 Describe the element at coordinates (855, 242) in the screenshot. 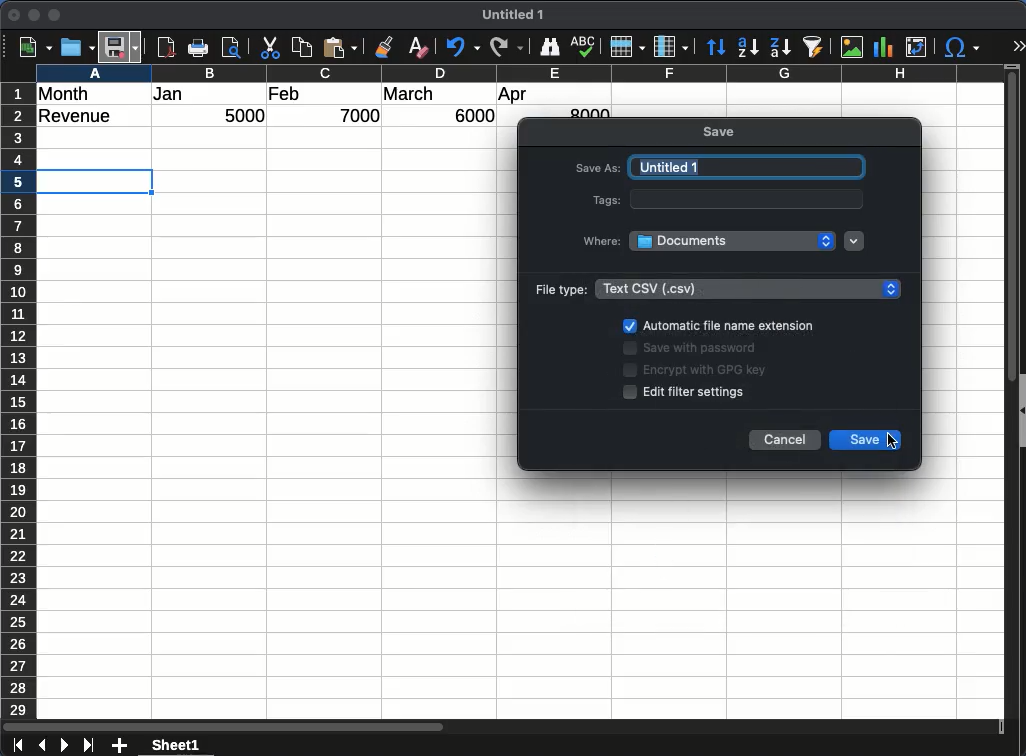

I see `dropdown` at that location.